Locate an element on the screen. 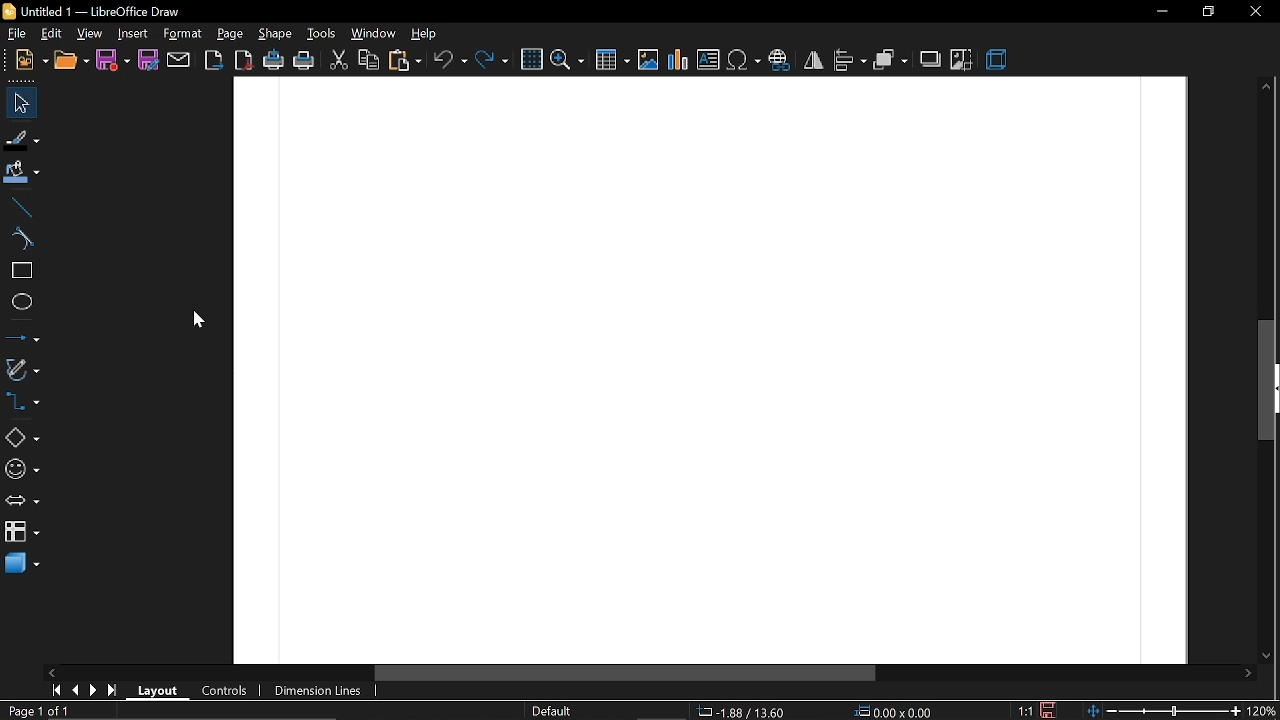 The height and width of the screenshot is (720, 1280). format is located at coordinates (183, 35).